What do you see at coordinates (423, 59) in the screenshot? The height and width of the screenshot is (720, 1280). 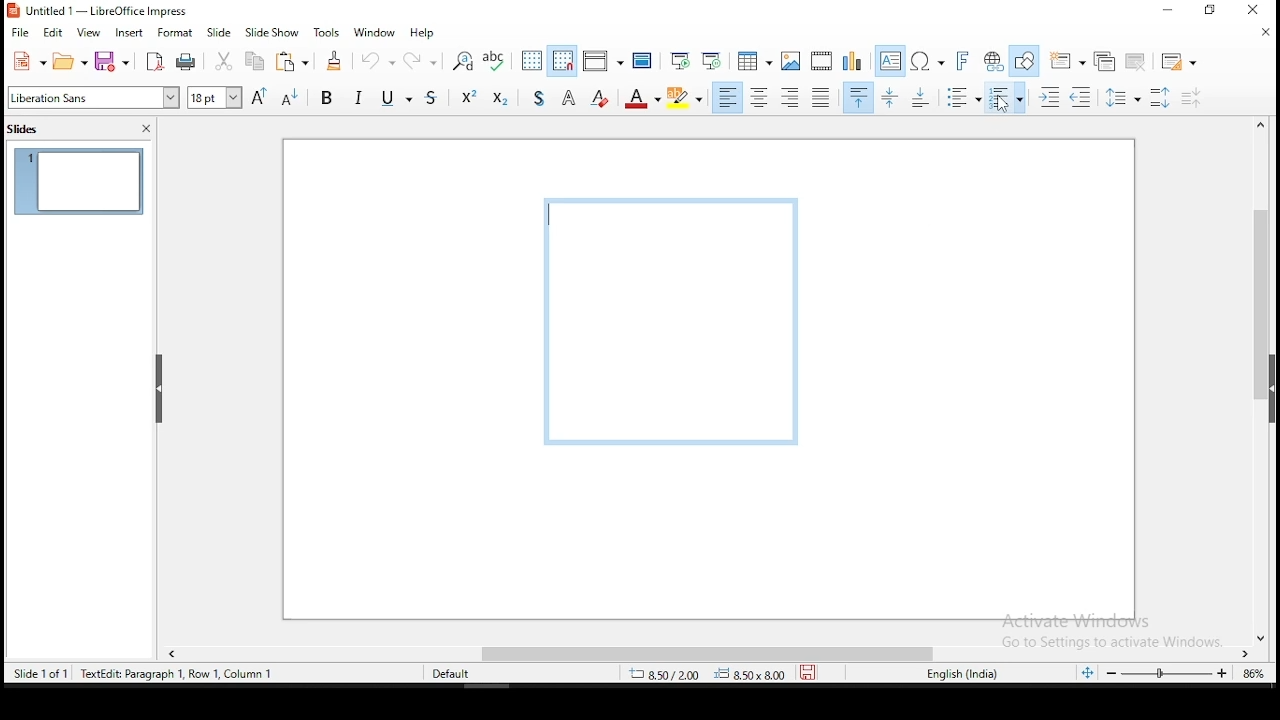 I see `redo` at bounding box center [423, 59].